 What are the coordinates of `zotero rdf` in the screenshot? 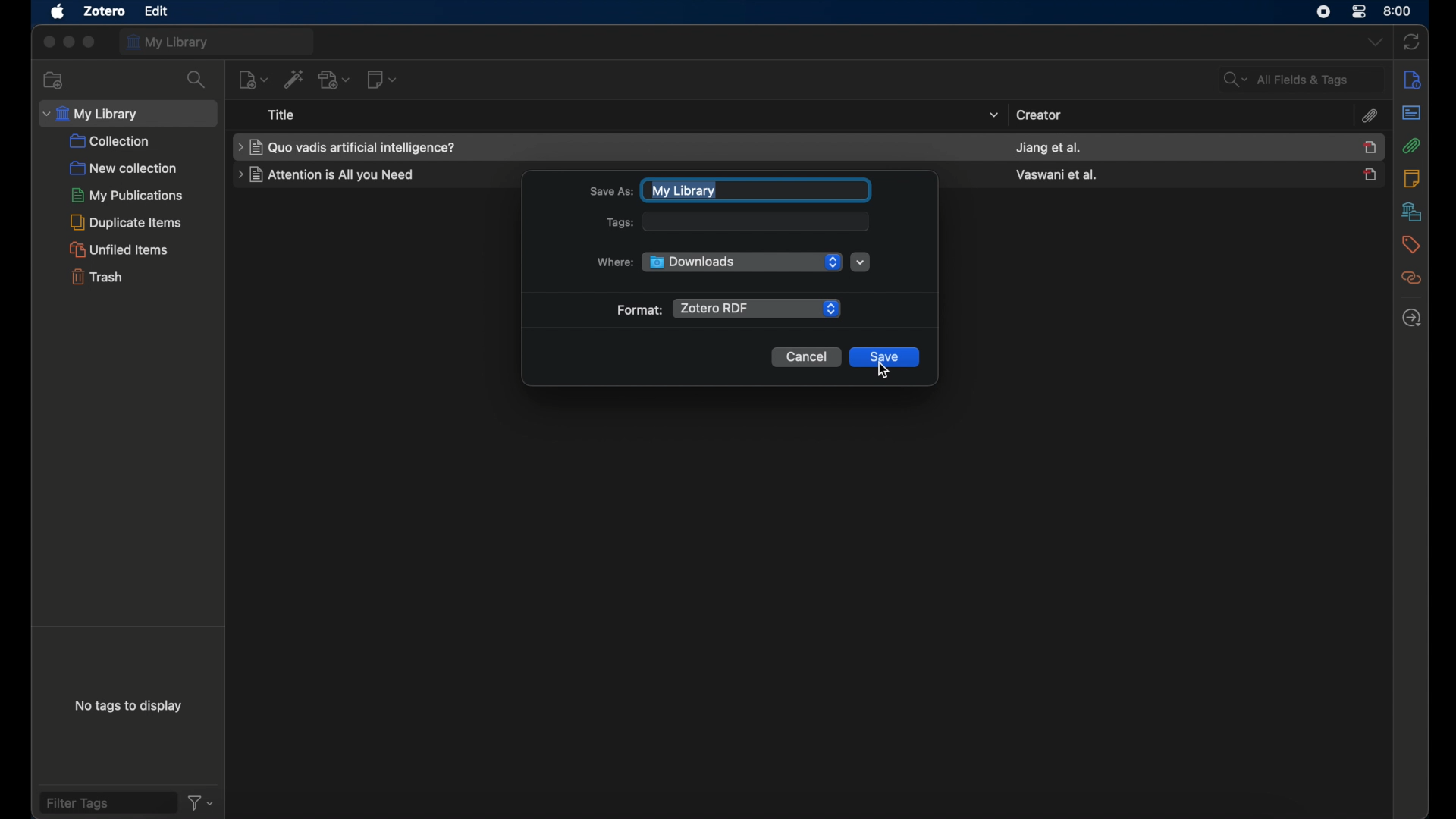 It's located at (757, 309).